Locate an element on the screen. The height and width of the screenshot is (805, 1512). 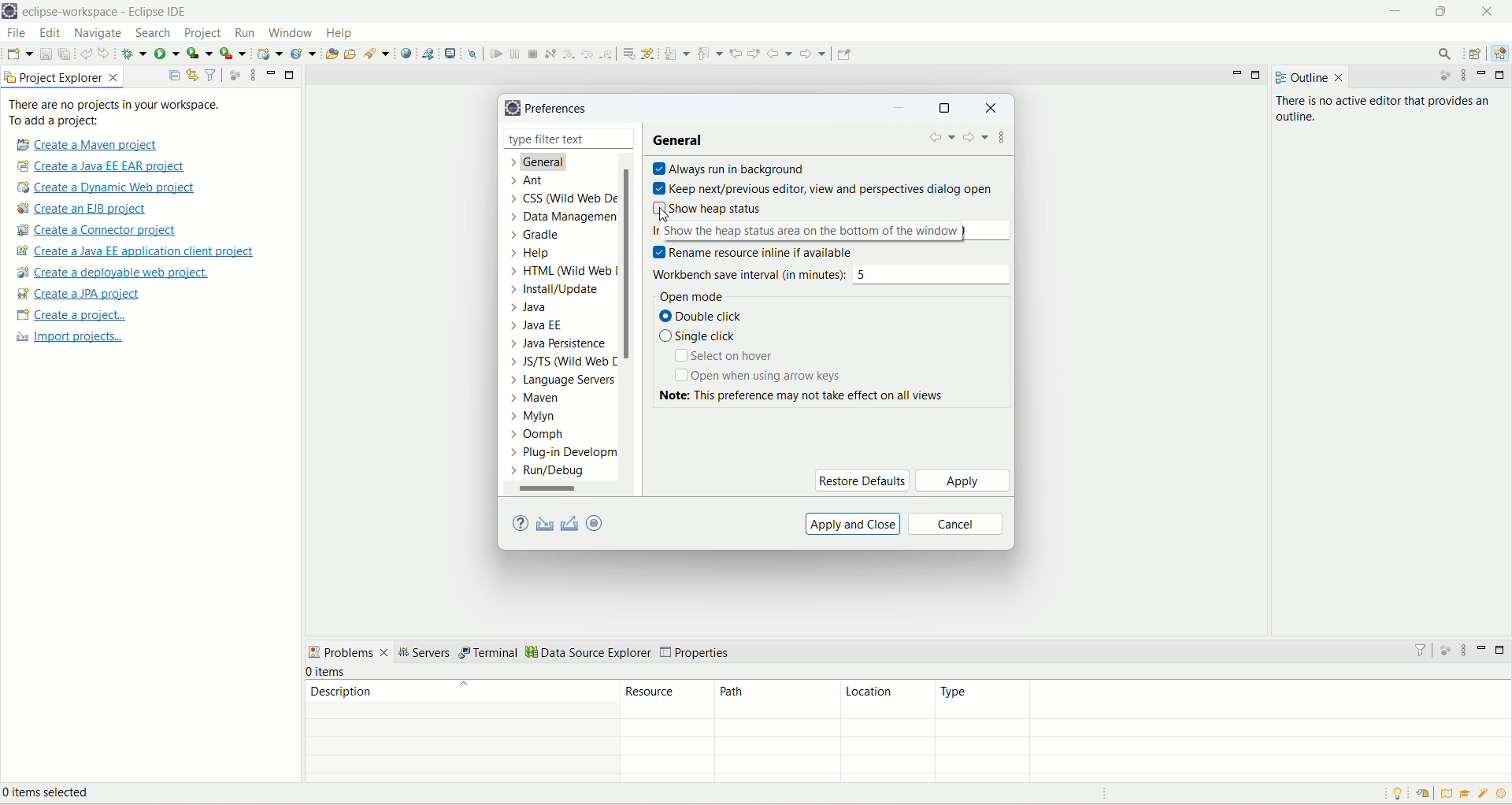
create JPA project is located at coordinates (80, 294).